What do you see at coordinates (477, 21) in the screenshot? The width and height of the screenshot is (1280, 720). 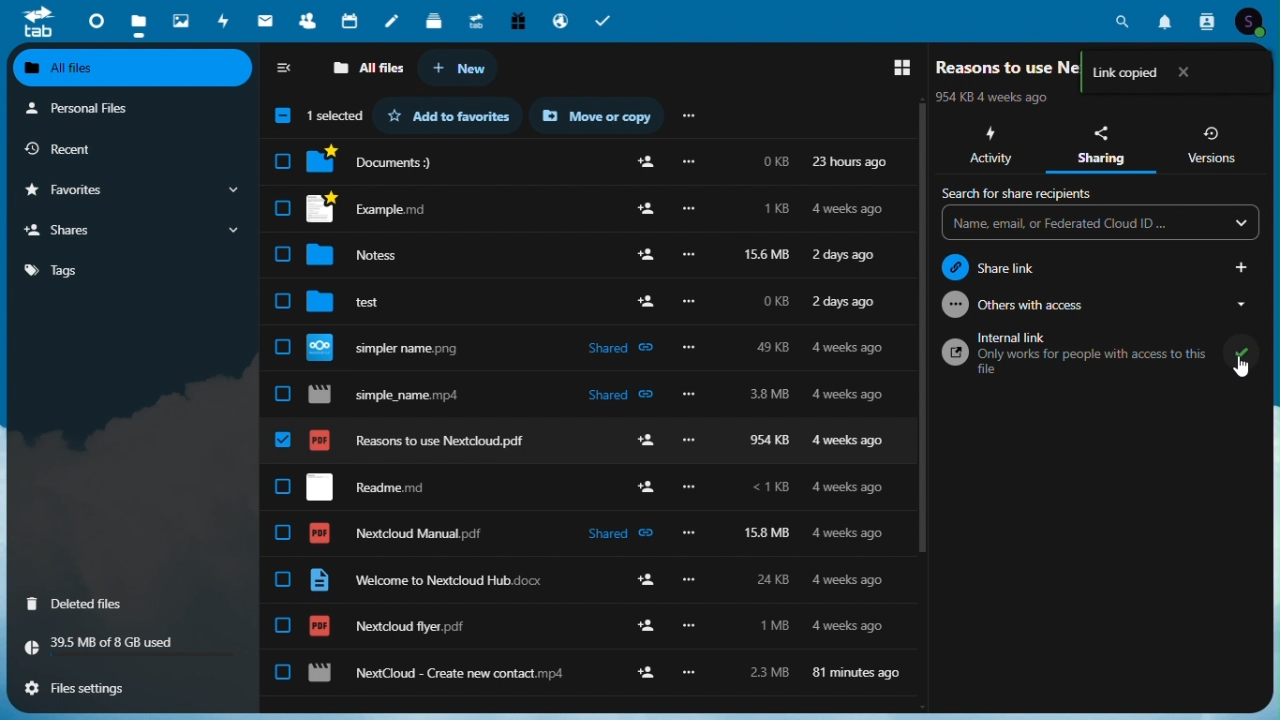 I see `Upgrade` at bounding box center [477, 21].